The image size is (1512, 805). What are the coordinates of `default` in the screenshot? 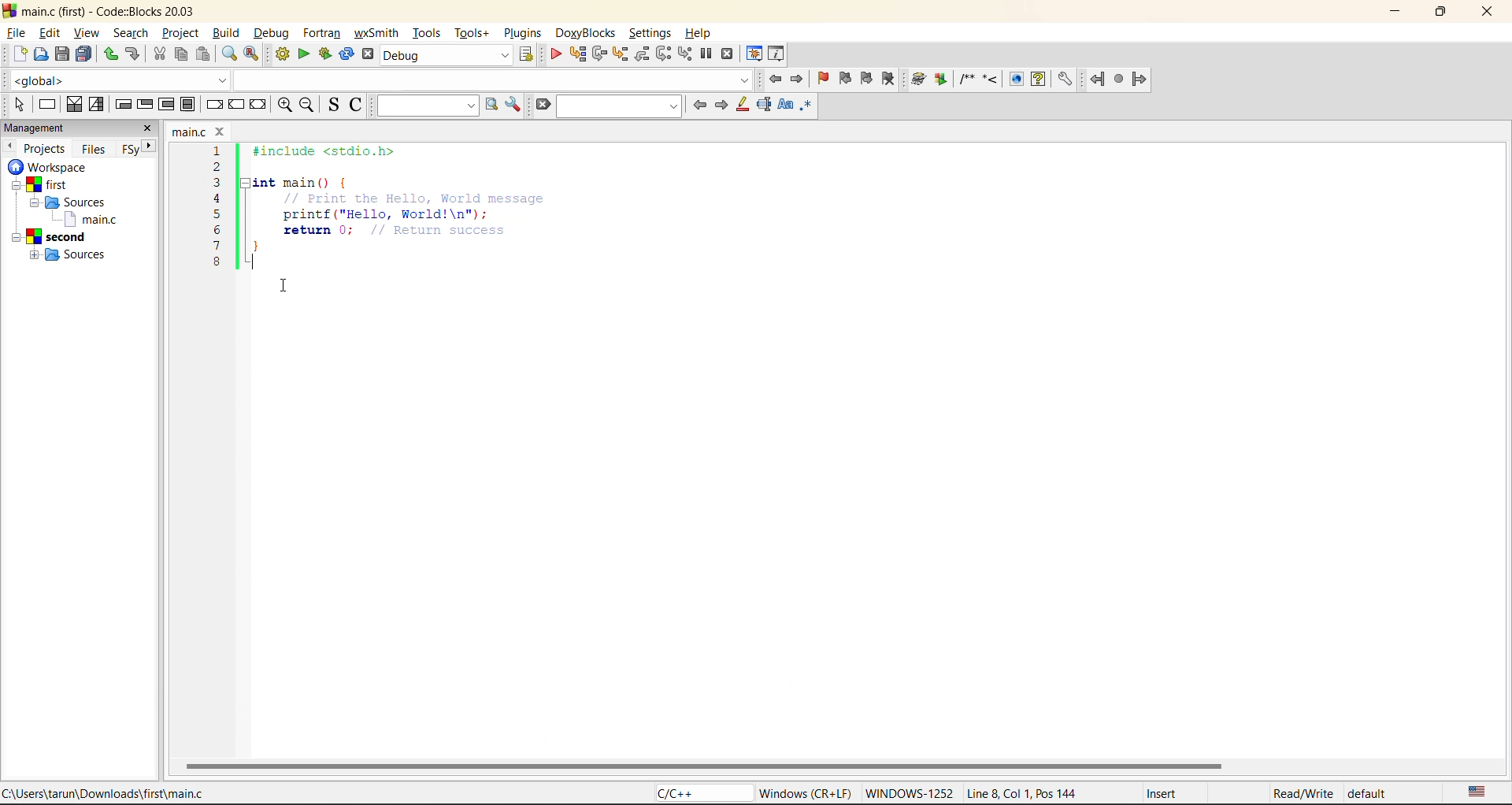 It's located at (1378, 792).